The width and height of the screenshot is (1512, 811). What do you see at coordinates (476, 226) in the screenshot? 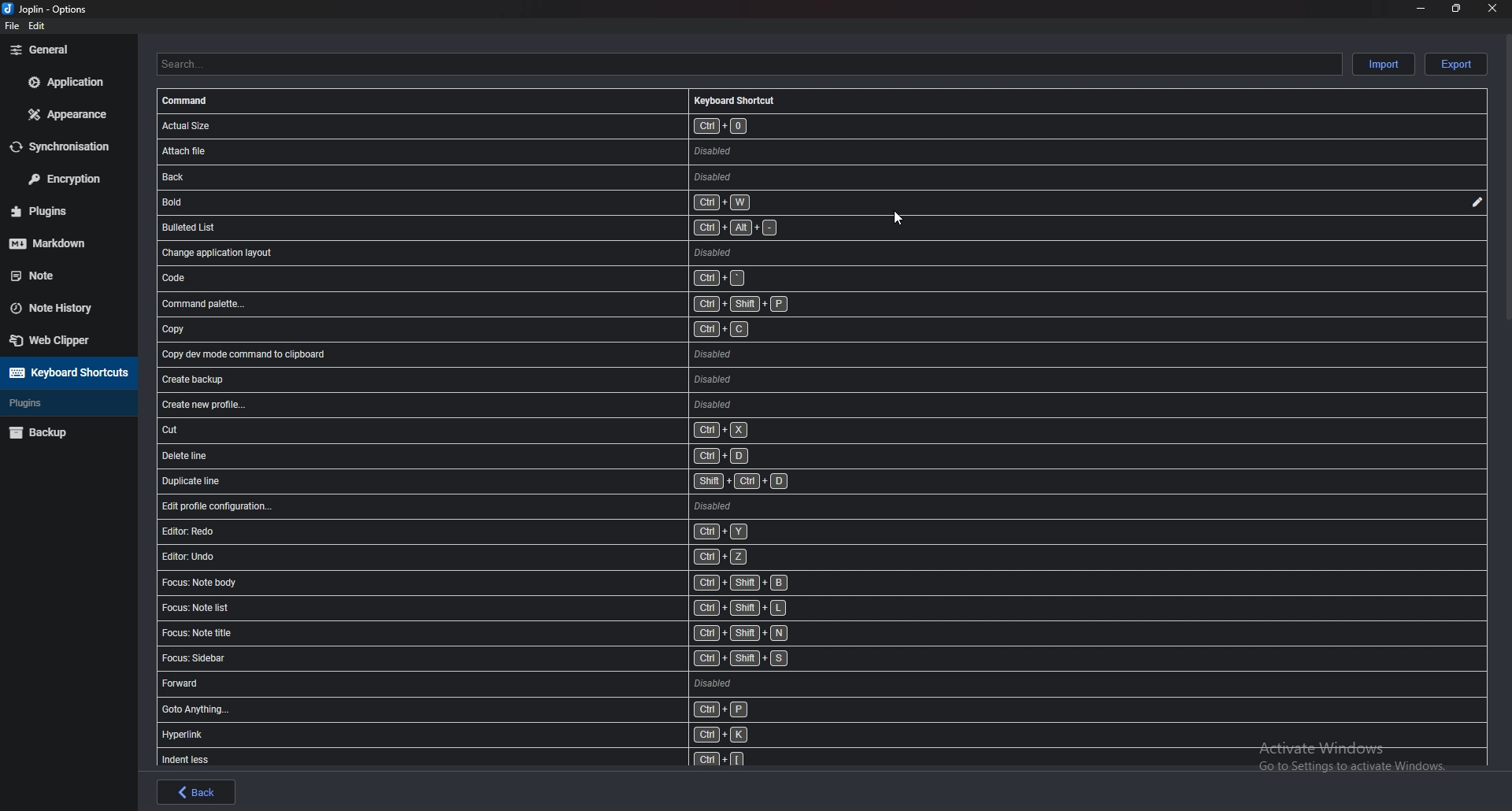
I see `shortcut` at bounding box center [476, 226].